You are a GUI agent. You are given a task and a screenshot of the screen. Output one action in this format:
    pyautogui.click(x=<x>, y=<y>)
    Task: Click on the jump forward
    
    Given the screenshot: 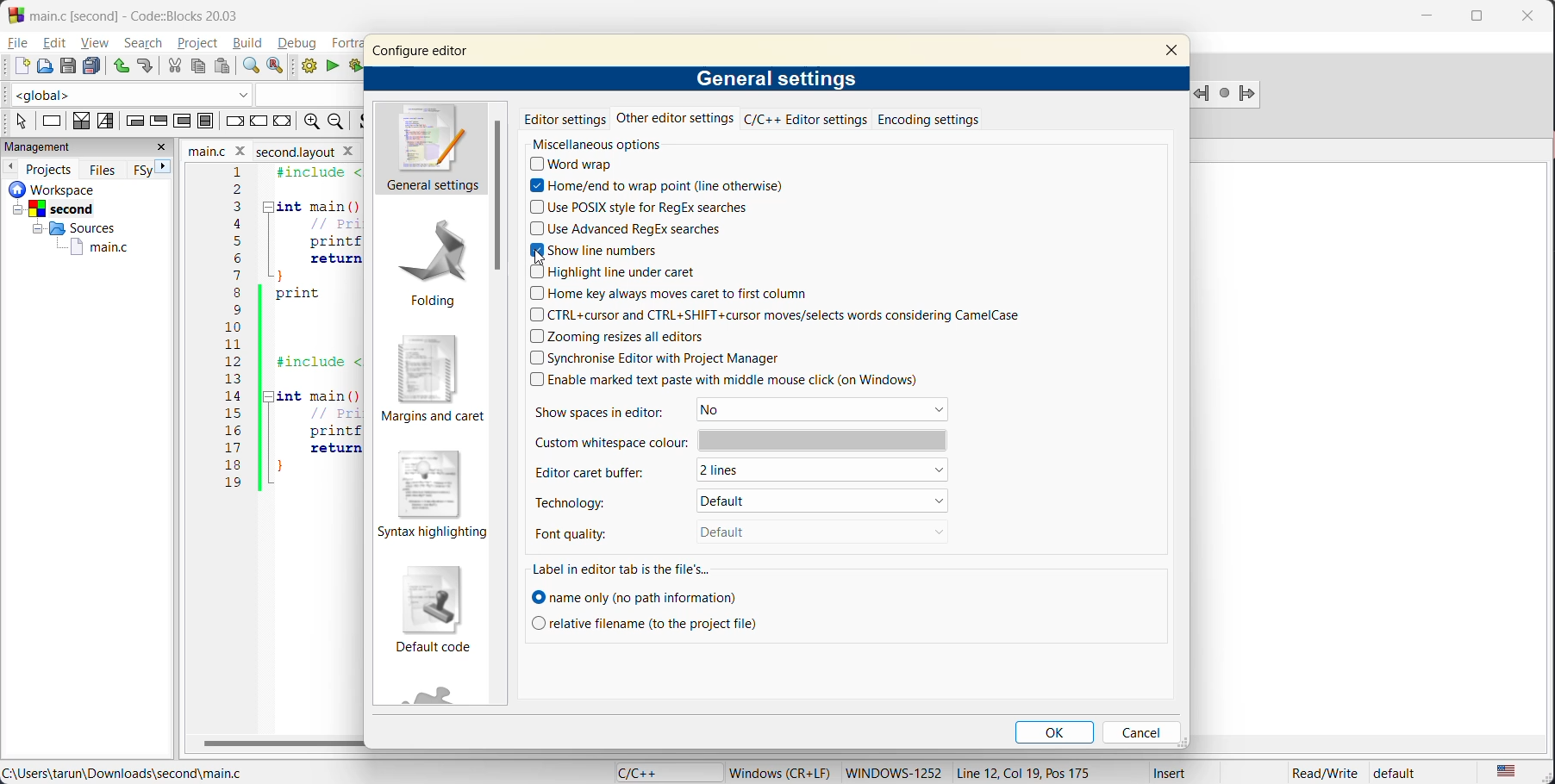 What is the action you would take?
    pyautogui.click(x=1256, y=92)
    